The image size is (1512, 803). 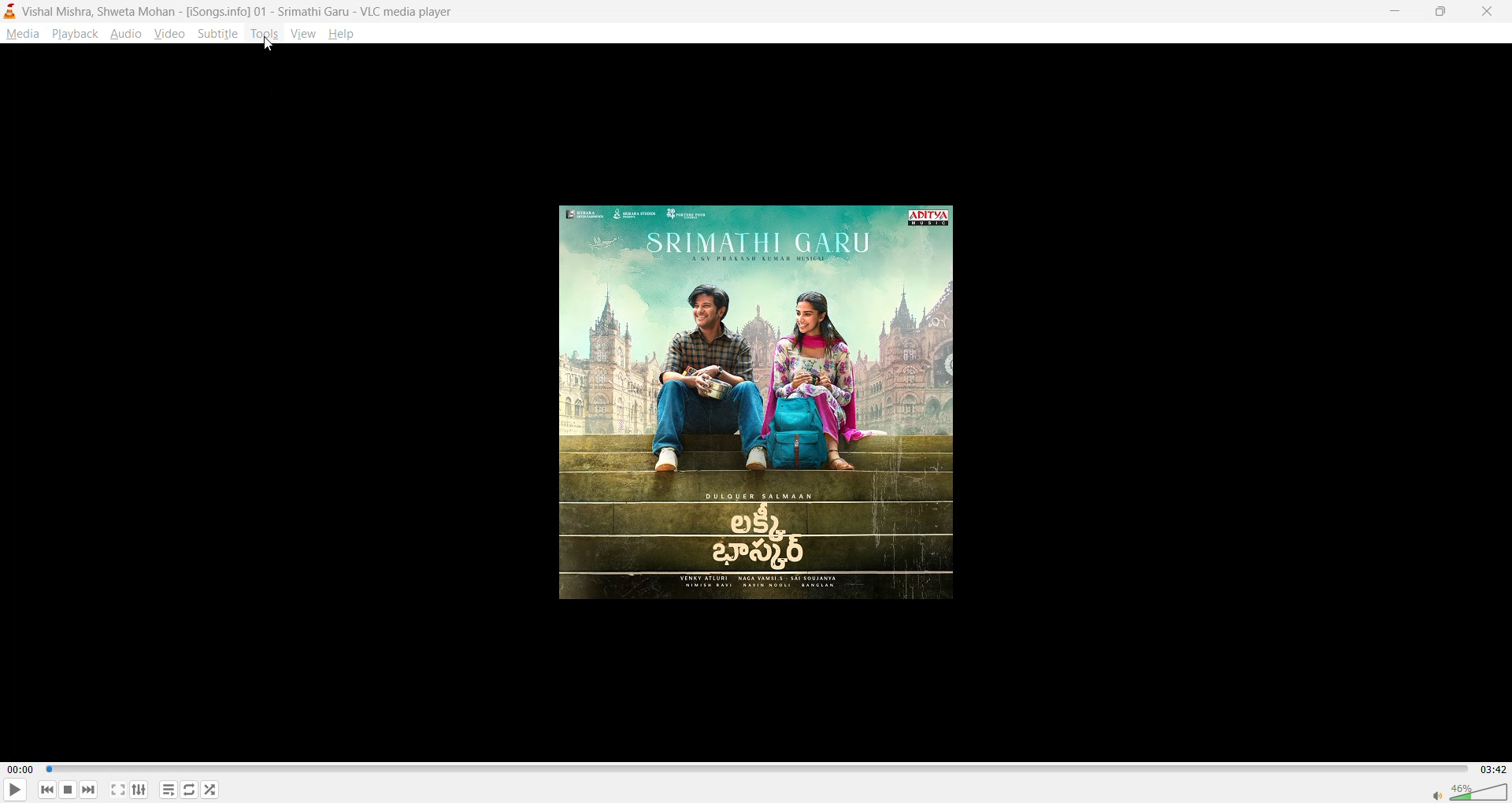 What do you see at coordinates (344, 35) in the screenshot?
I see `help` at bounding box center [344, 35].